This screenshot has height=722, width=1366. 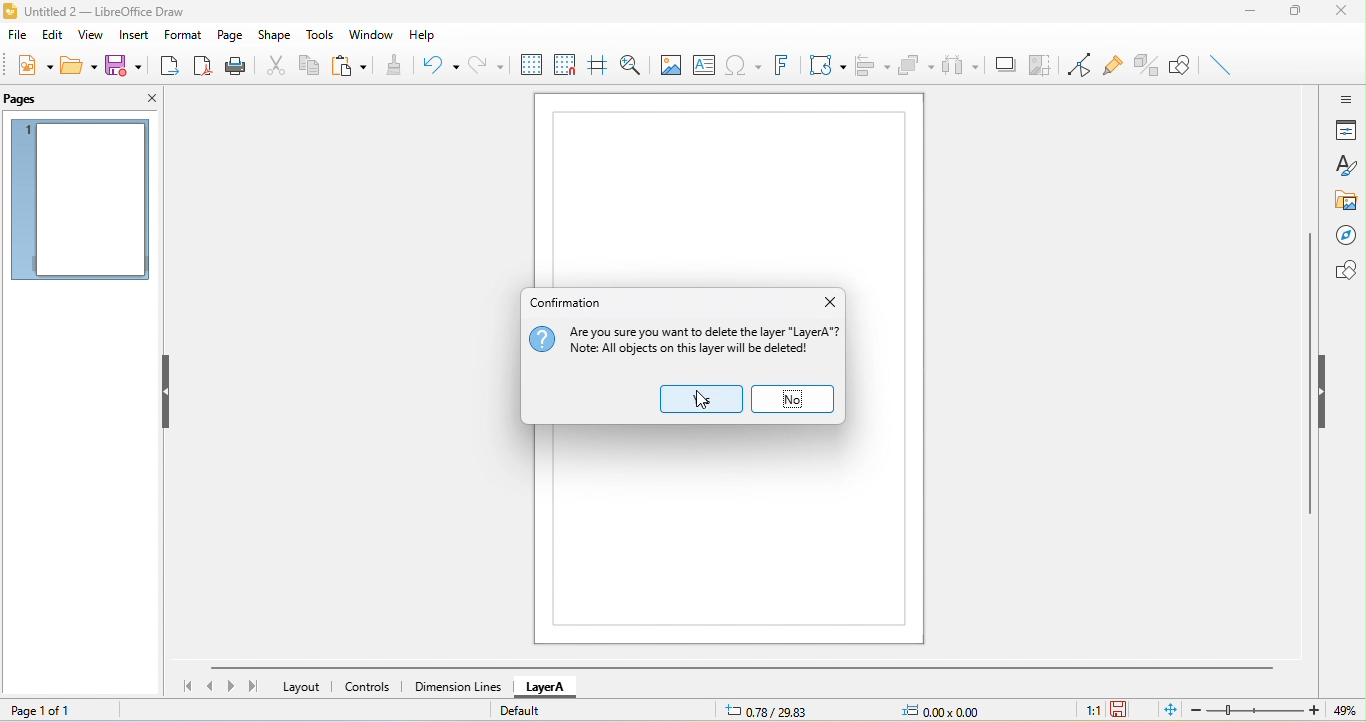 I want to click on close, so click(x=826, y=303).